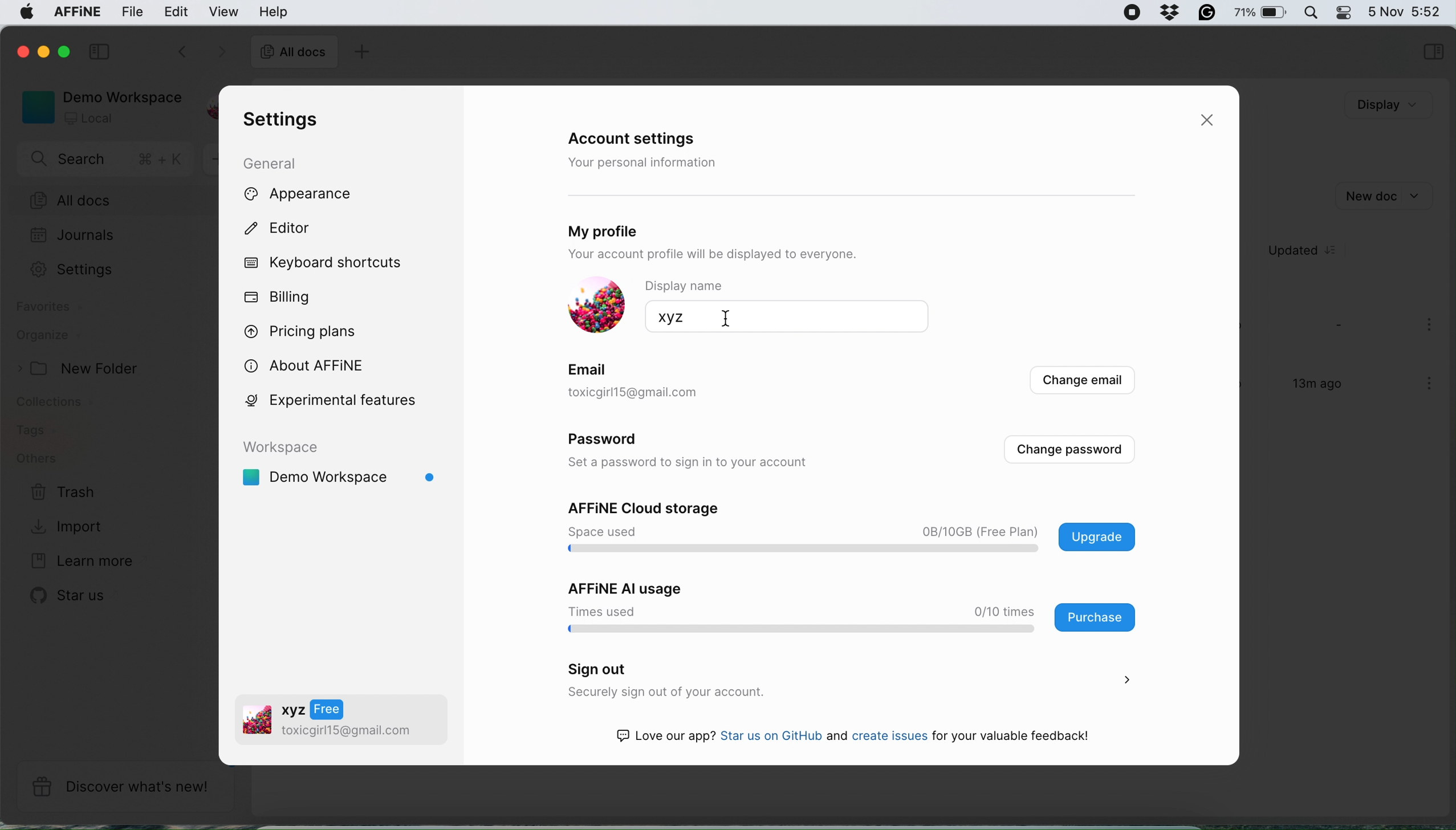 This screenshot has height=830, width=1456. Describe the element at coordinates (177, 11) in the screenshot. I see `edit` at that location.